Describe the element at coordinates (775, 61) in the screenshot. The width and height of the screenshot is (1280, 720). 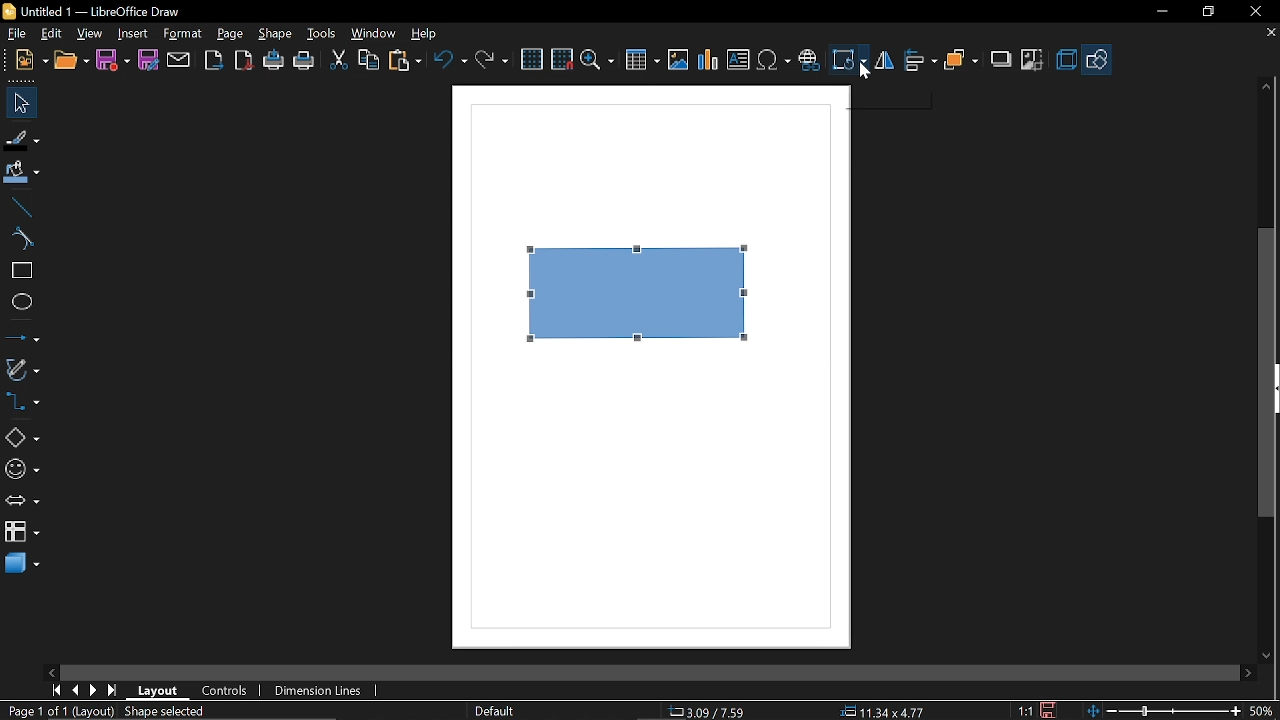
I see `Insert symbols` at that location.